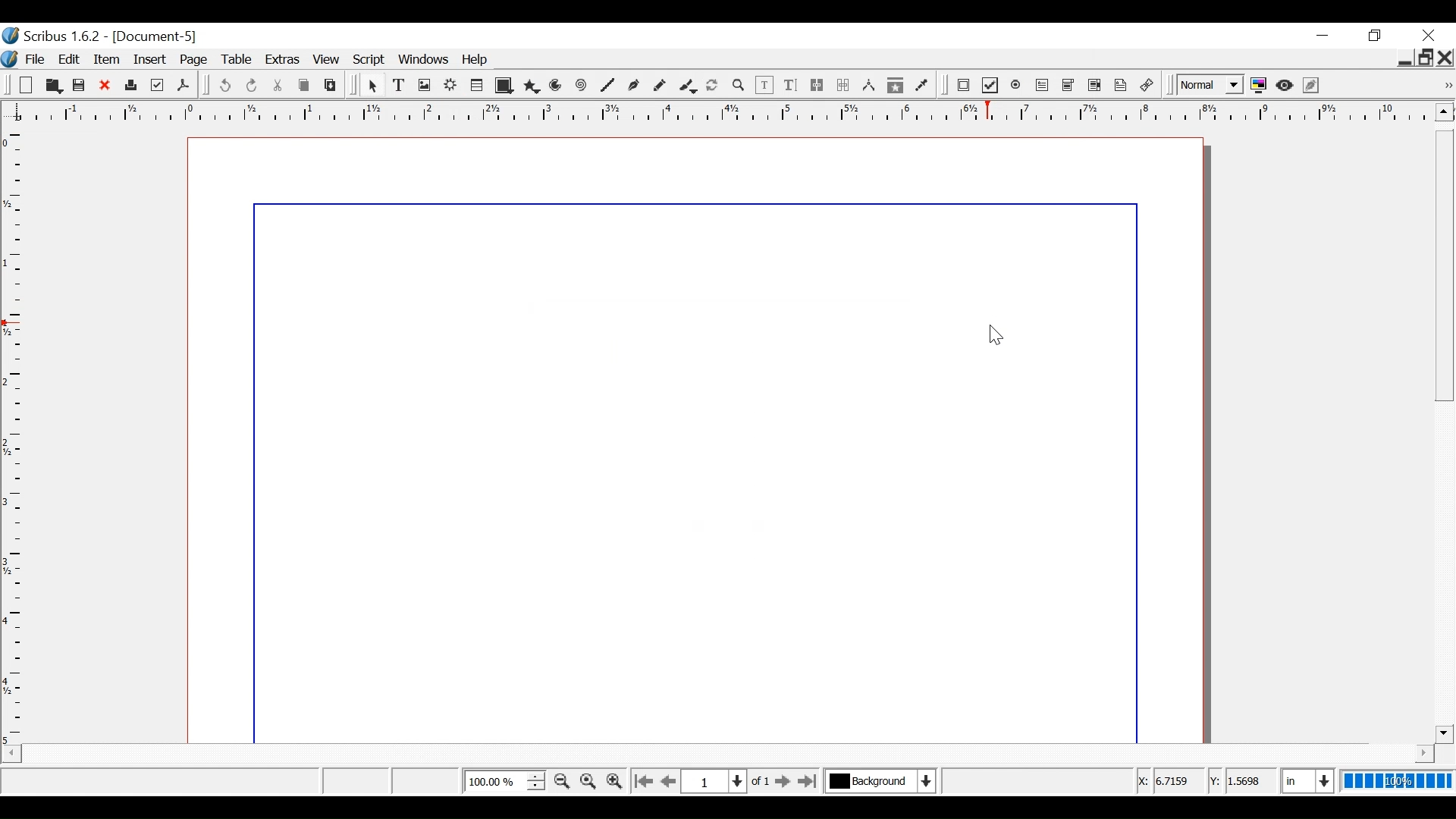  What do you see at coordinates (400, 86) in the screenshot?
I see `Text Frame` at bounding box center [400, 86].